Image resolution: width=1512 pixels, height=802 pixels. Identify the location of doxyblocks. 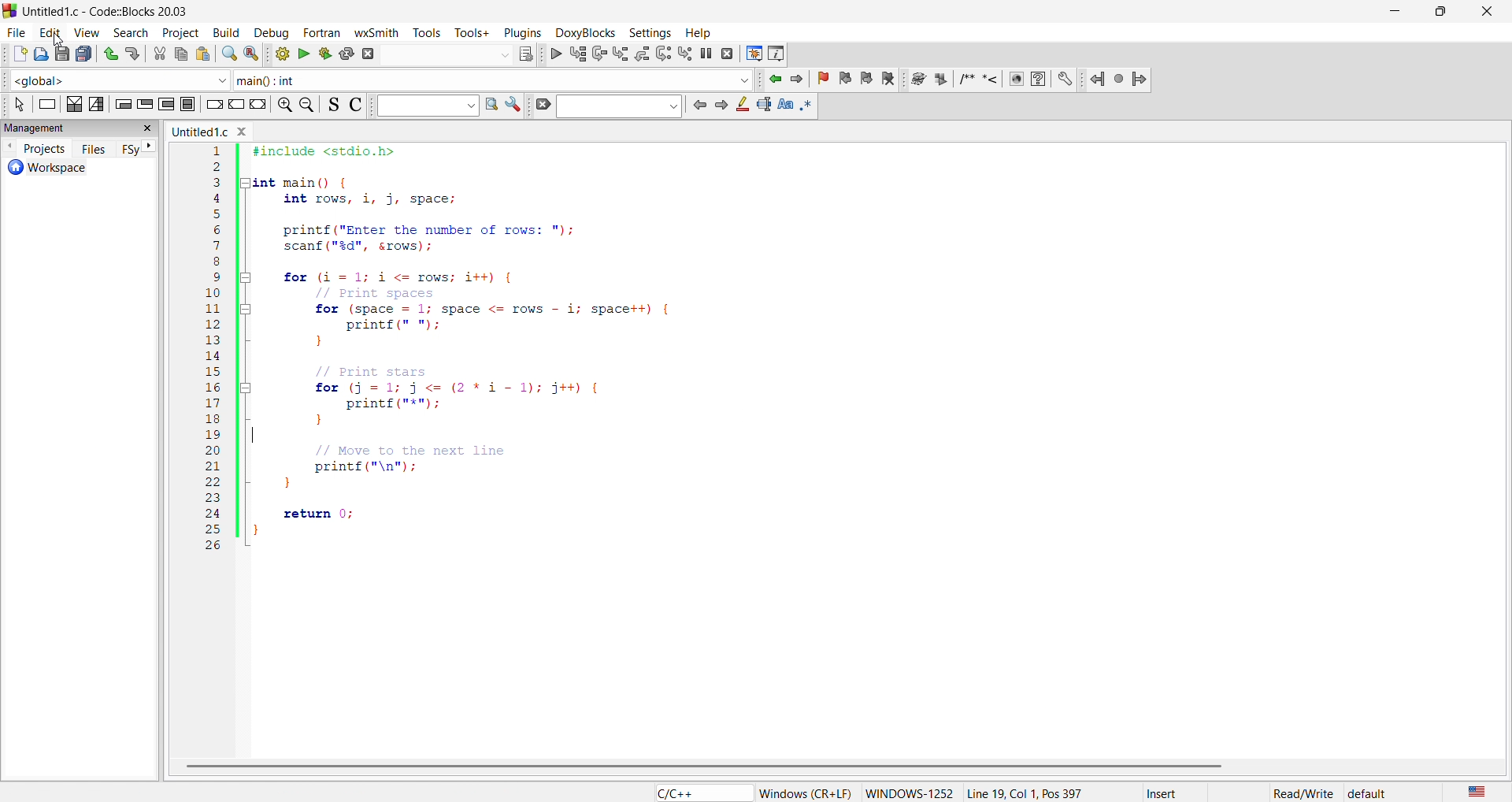
(583, 31).